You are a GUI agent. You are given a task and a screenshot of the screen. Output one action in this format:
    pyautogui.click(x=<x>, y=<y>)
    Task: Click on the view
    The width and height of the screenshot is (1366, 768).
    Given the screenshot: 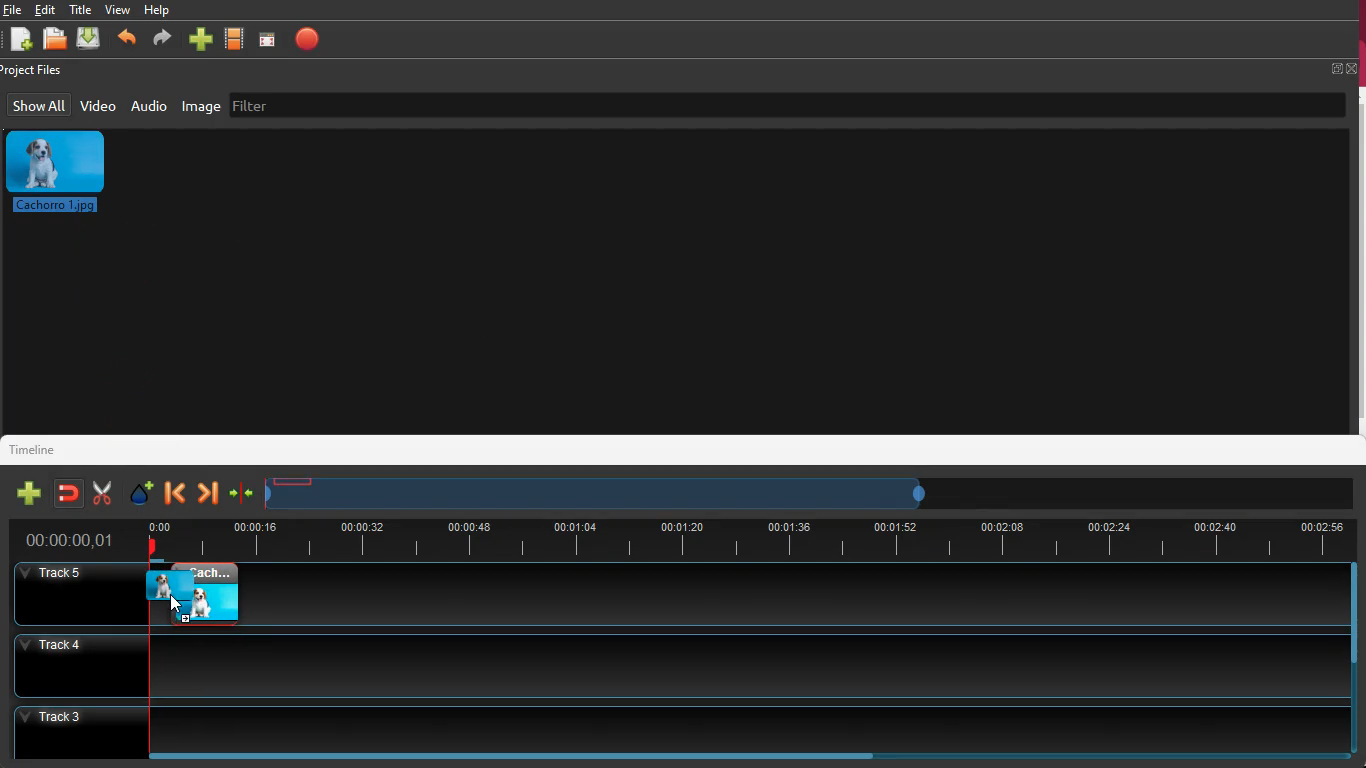 What is the action you would take?
    pyautogui.click(x=118, y=9)
    